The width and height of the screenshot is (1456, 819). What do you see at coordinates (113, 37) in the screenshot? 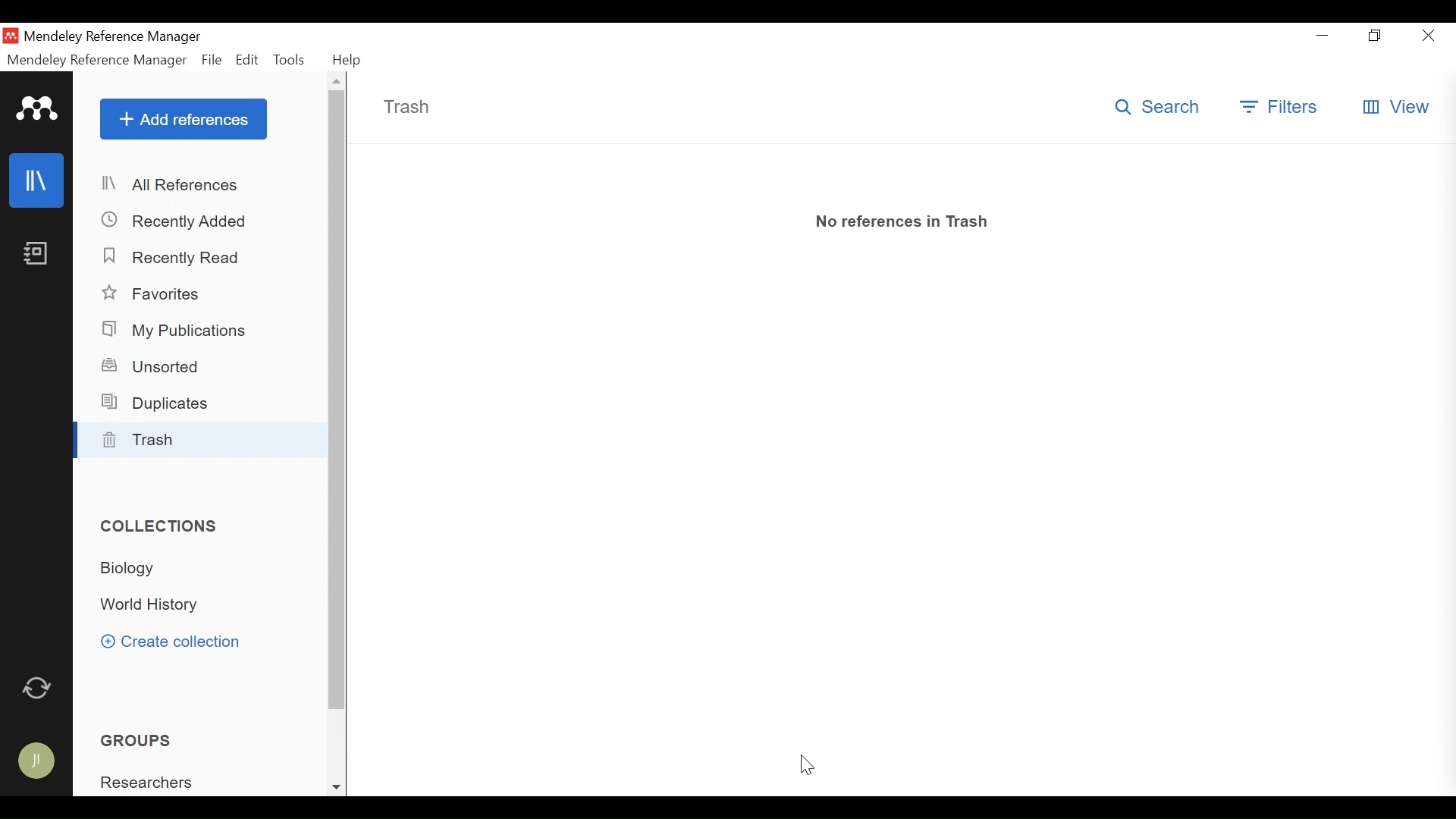
I see `Mendeley Reference Manager` at bounding box center [113, 37].